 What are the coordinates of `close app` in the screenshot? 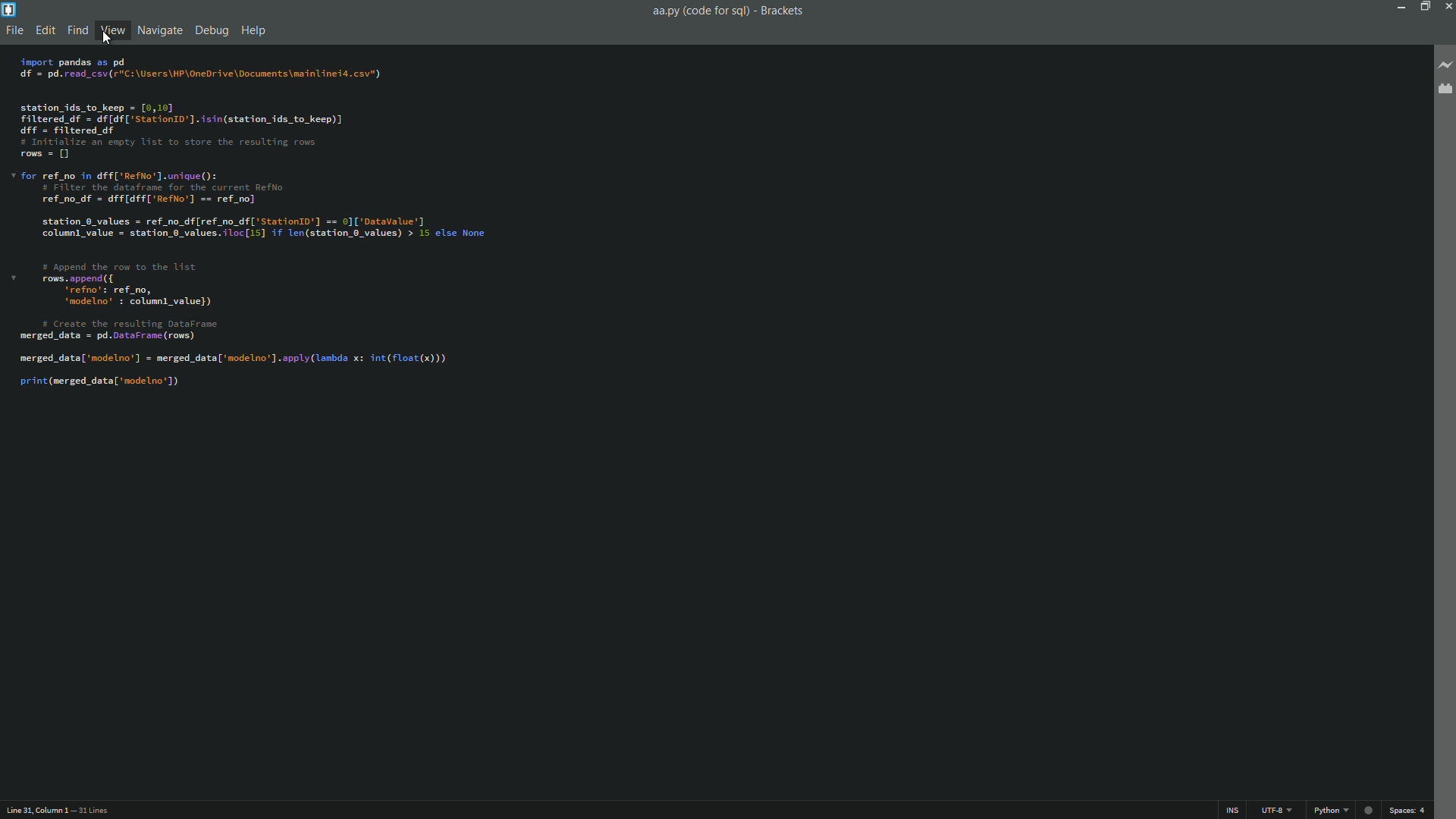 It's located at (1447, 6).